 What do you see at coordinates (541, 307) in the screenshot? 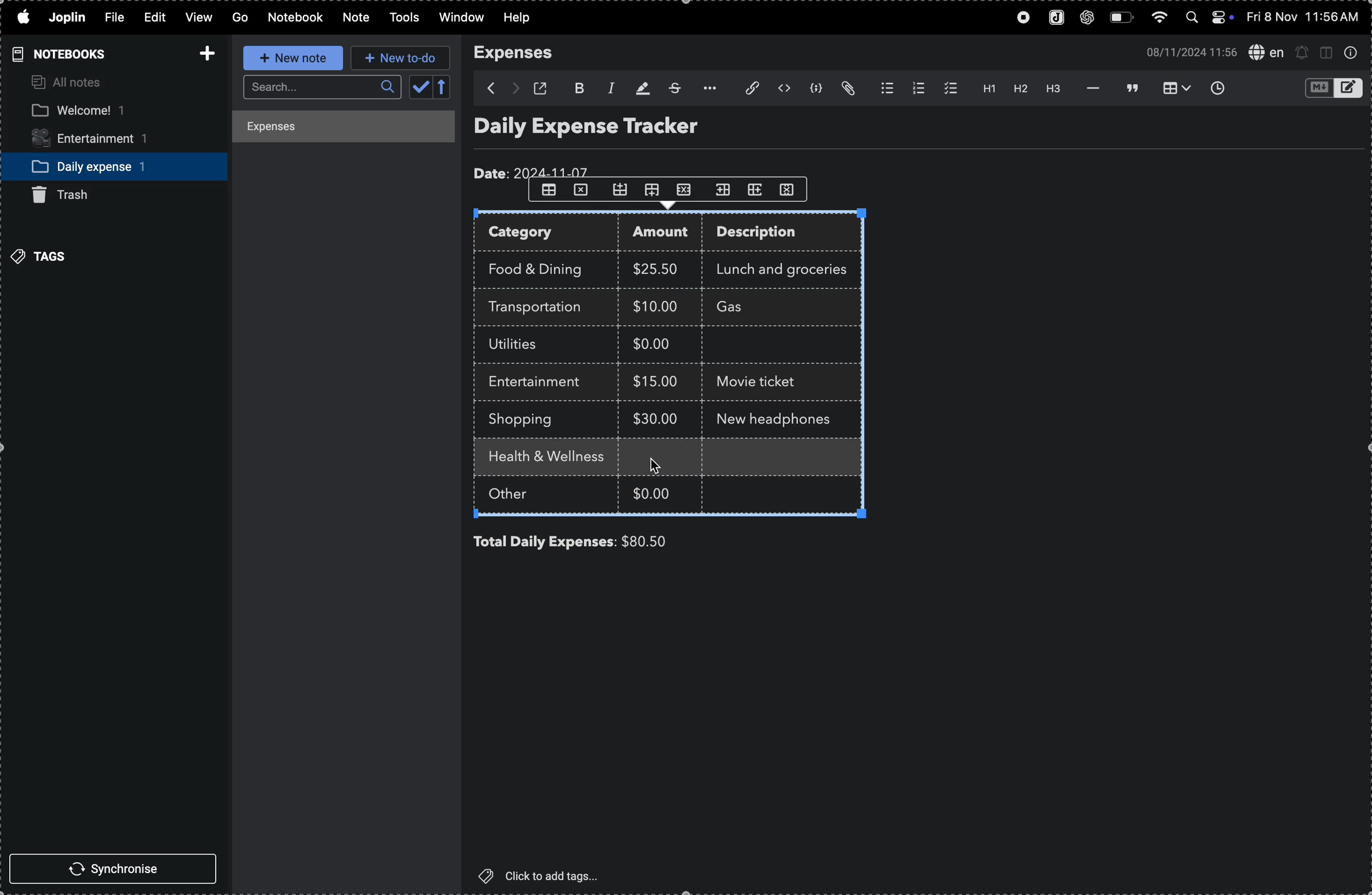
I see `trasnsportation` at bounding box center [541, 307].